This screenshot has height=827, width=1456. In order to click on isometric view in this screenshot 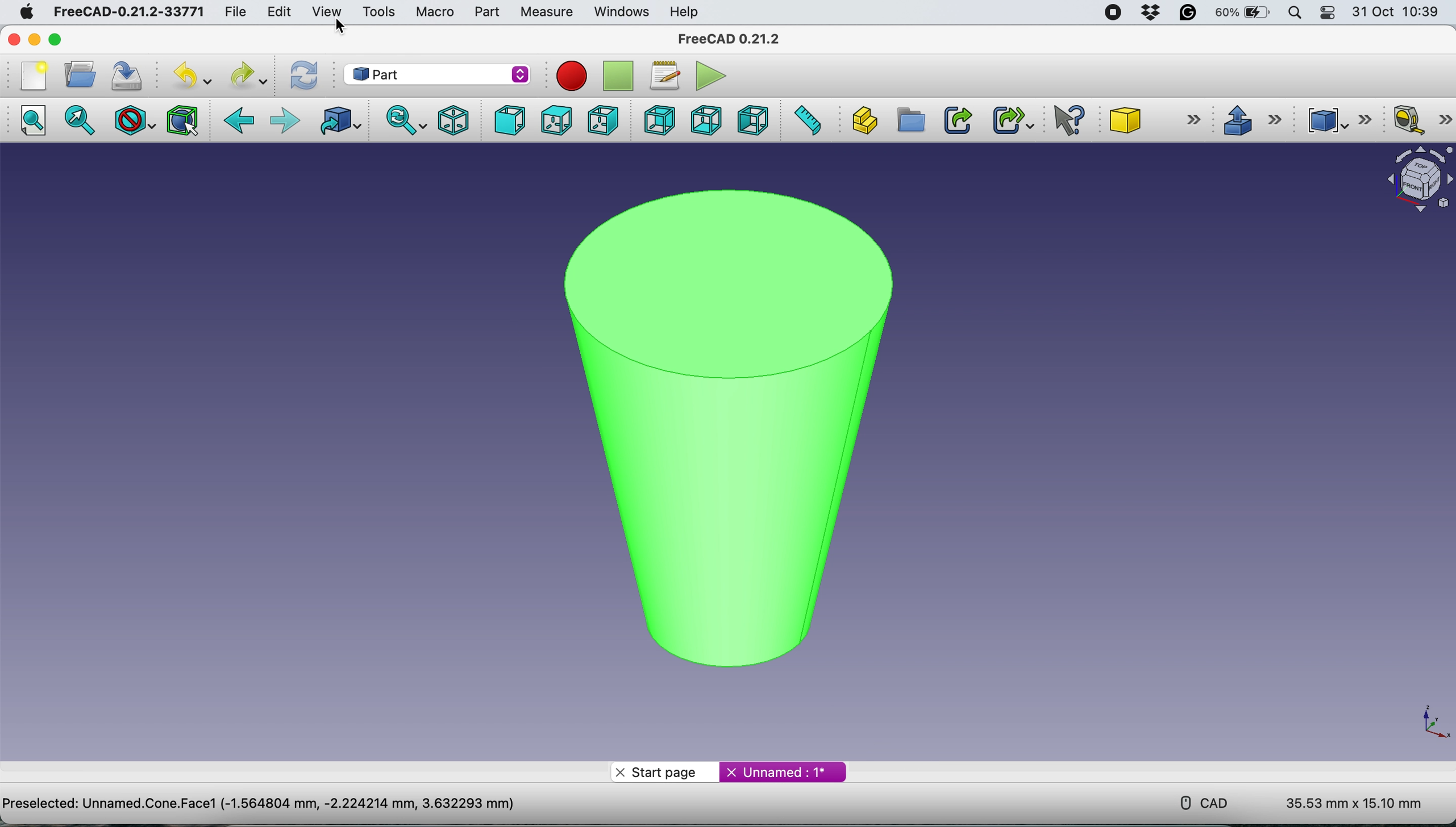, I will do `click(455, 119)`.